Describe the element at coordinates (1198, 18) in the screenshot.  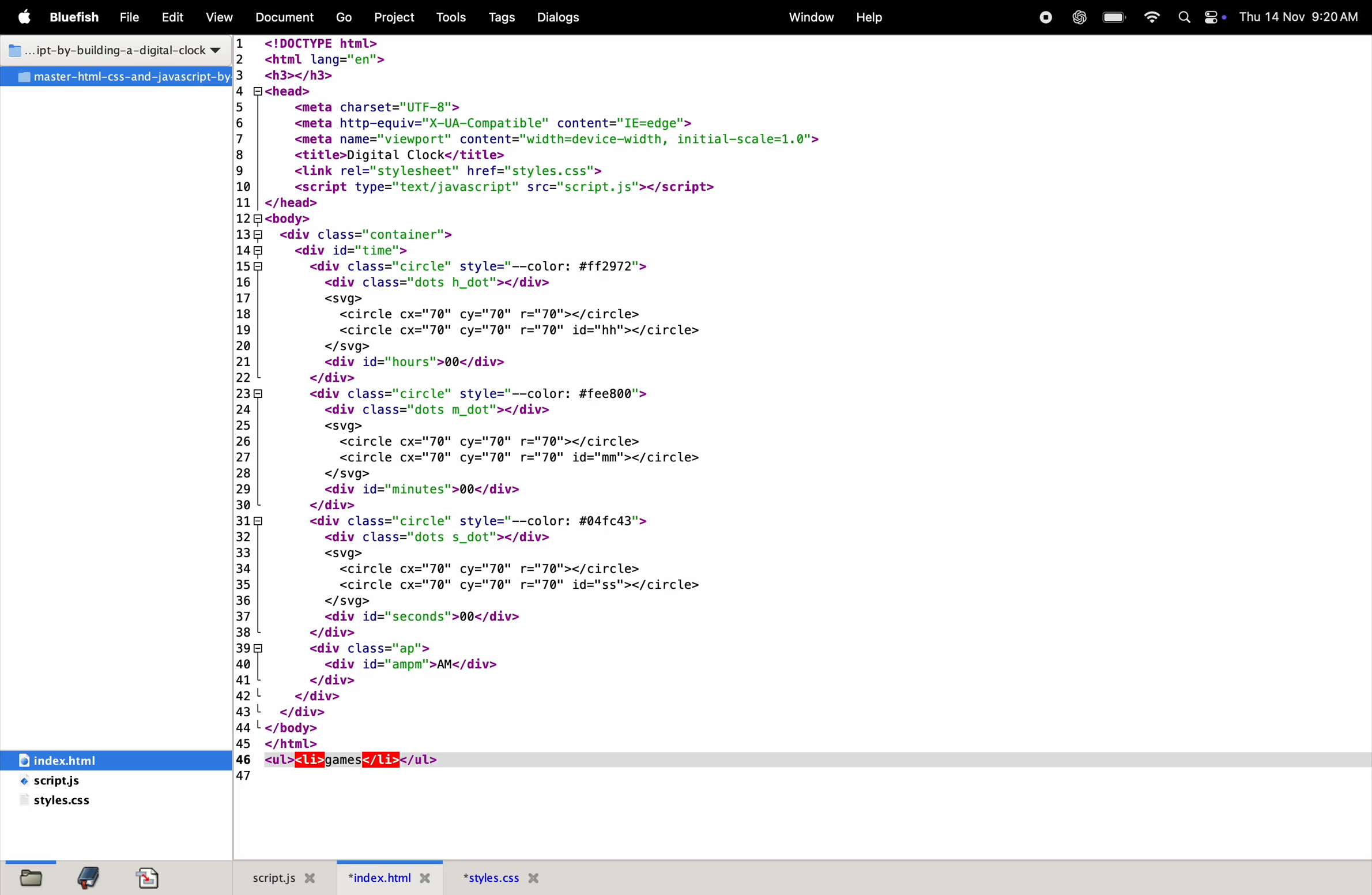
I see `Apple widgets` at that location.